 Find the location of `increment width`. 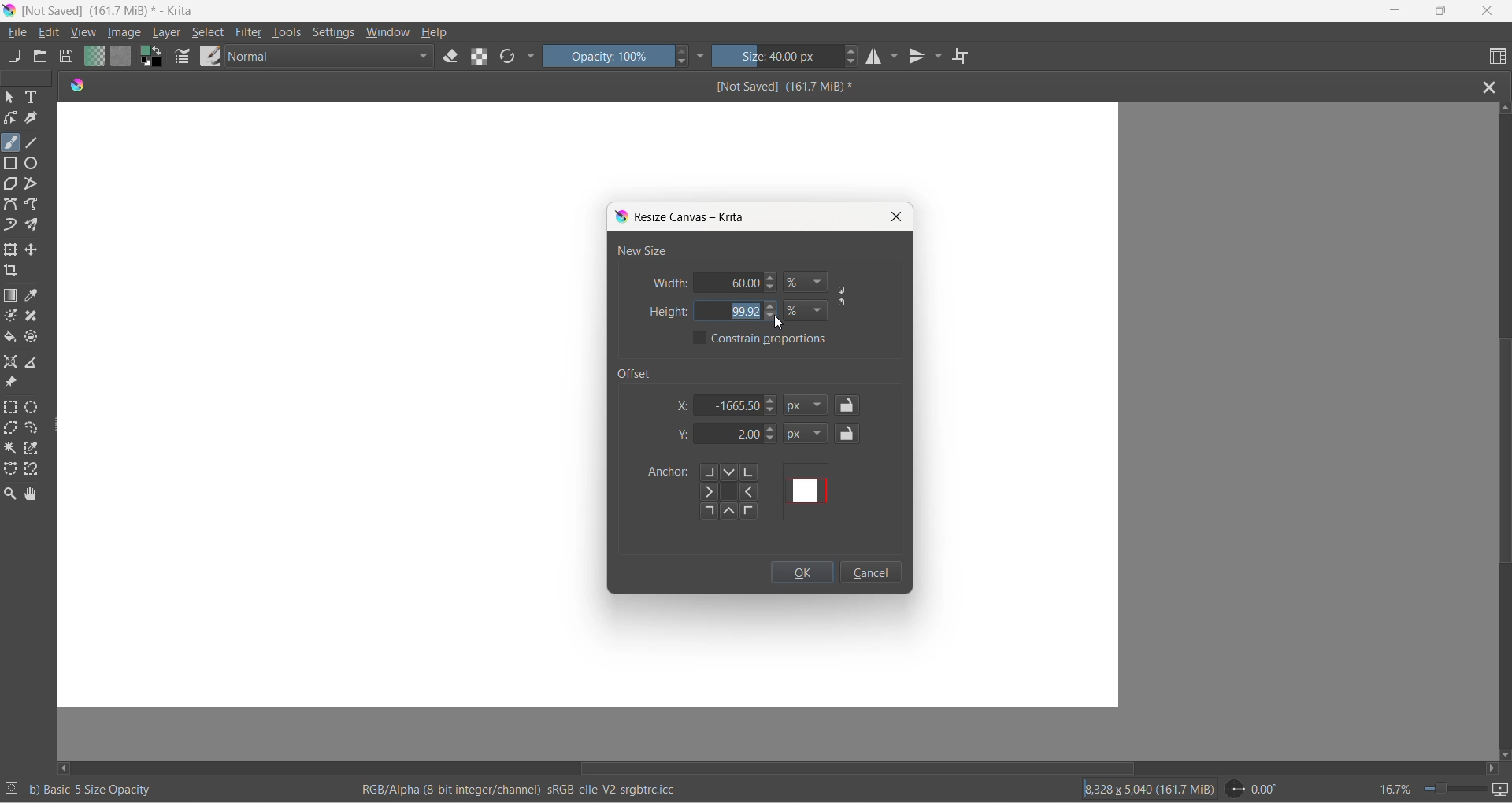

increment width is located at coordinates (773, 279).